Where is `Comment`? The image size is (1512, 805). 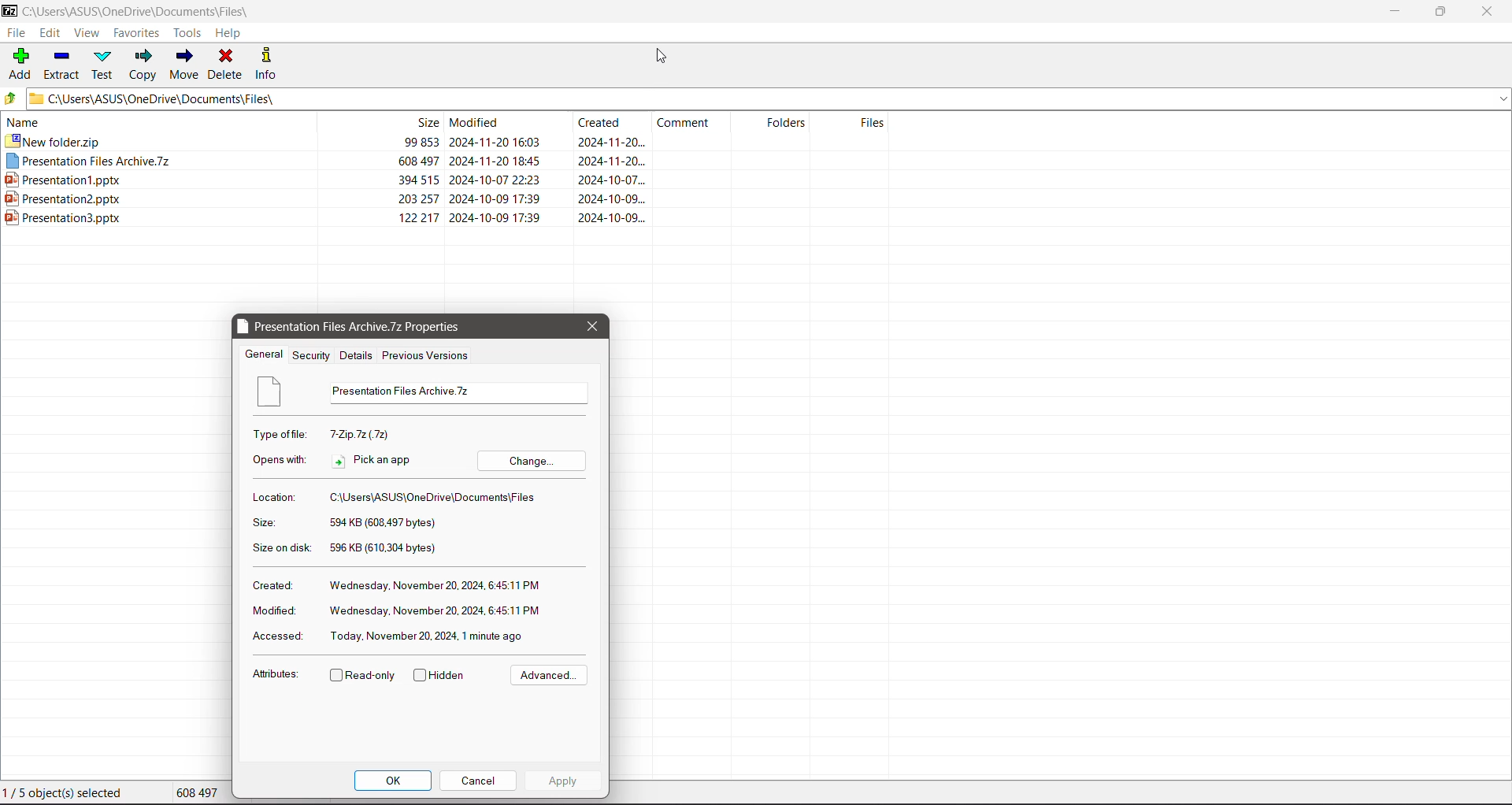 Comment is located at coordinates (690, 123).